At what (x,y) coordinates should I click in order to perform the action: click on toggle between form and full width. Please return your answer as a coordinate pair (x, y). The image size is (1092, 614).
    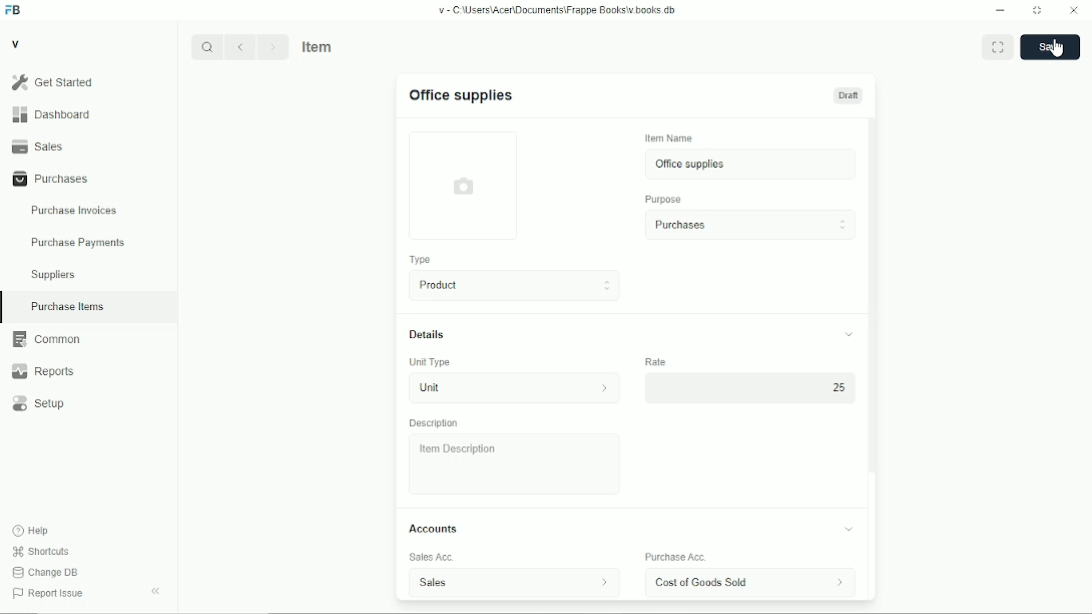
    Looking at the image, I should click on (998, 46).